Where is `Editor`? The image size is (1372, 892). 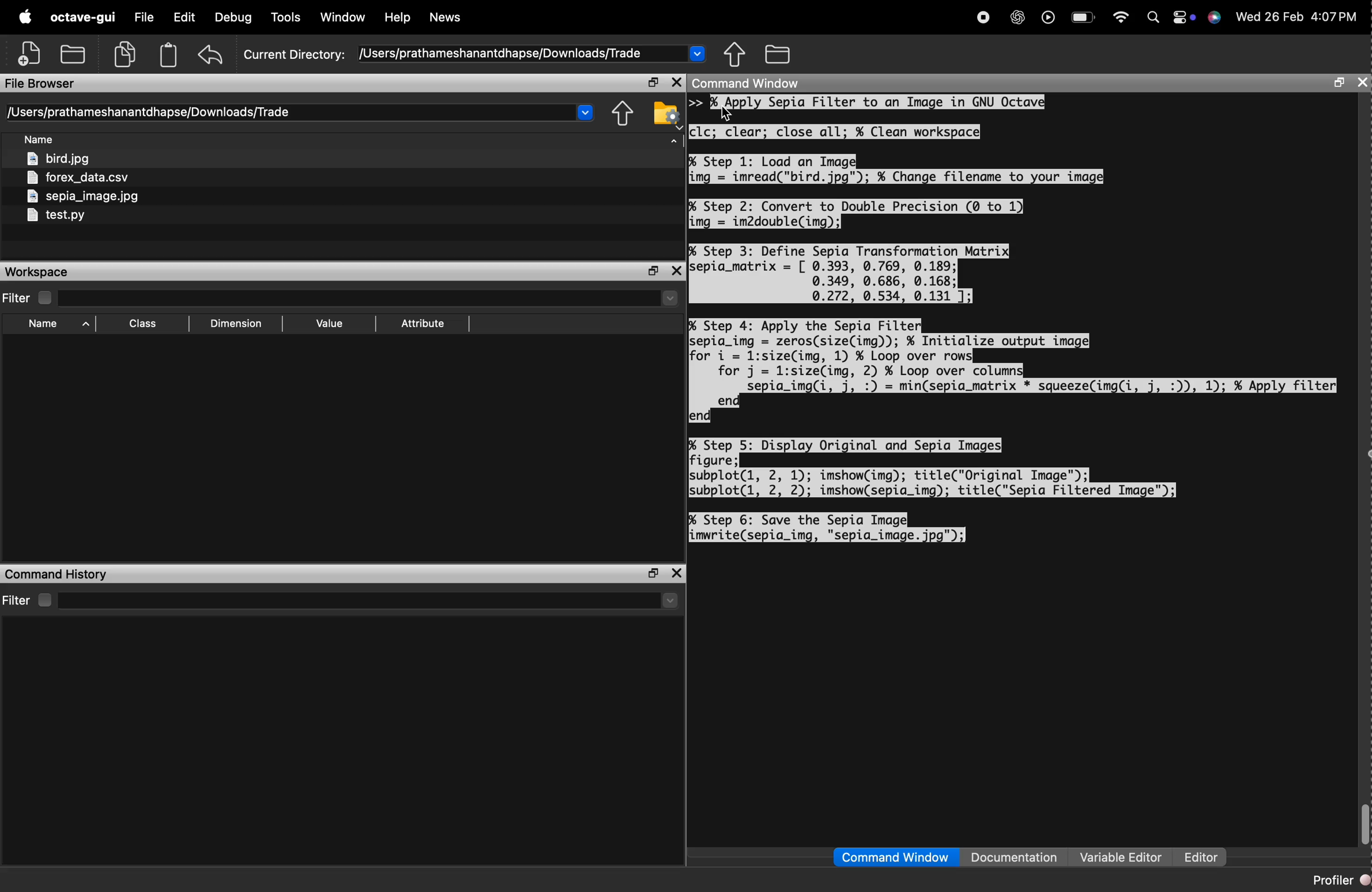
Editor is located at coordinates (1203, 856).